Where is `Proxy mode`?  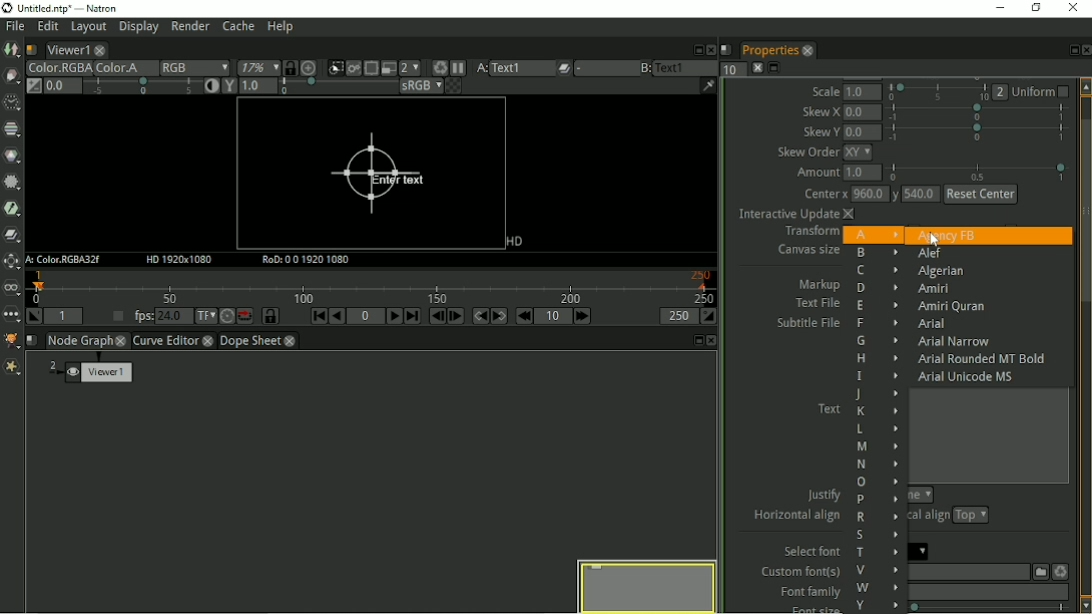 Proxy mode is located at coordinates (410, 68).